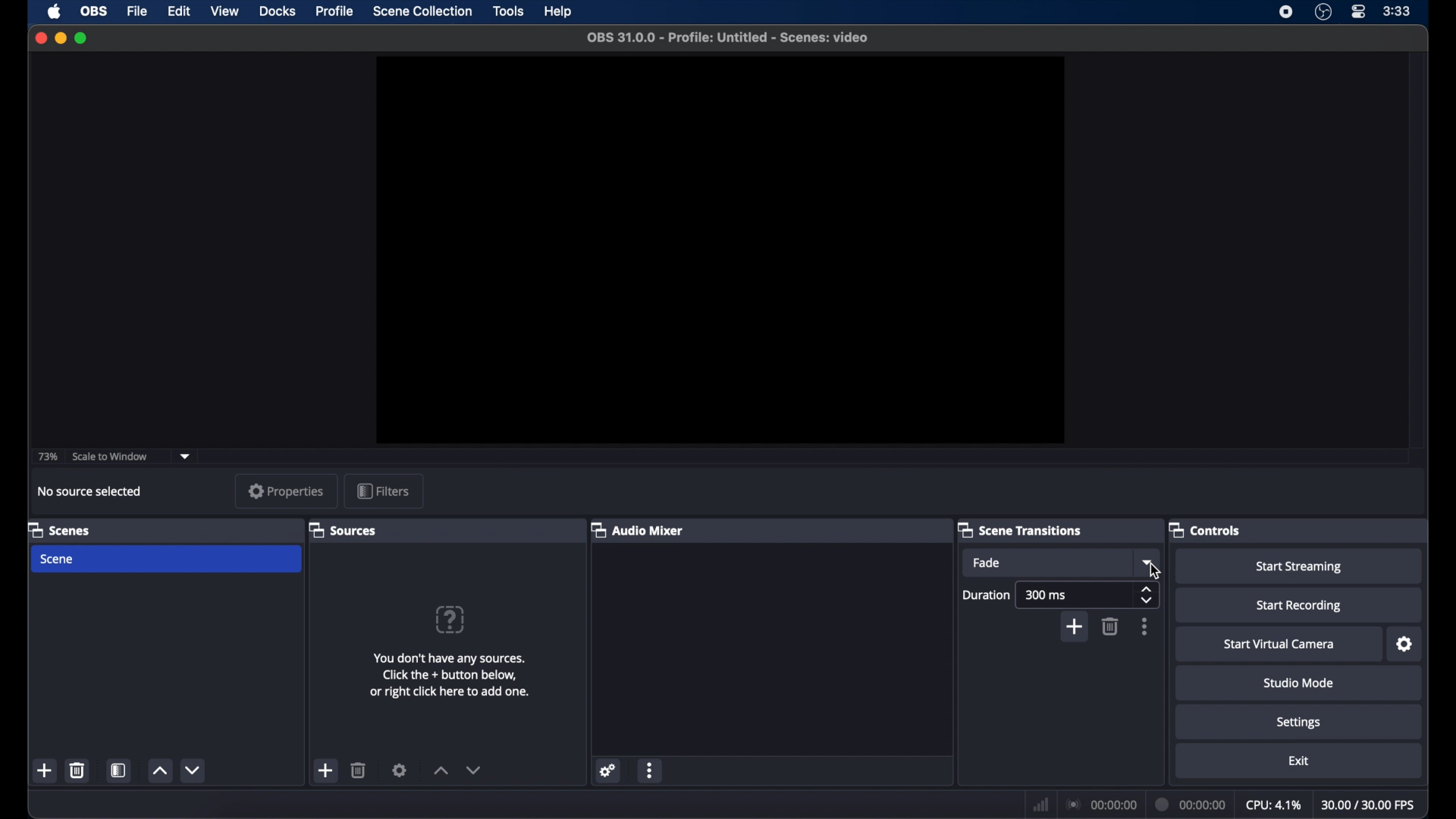 This screenshot has width=1456, height=819. Describe the element at coordinates (359, 770) in the screenshot. I see `delete` at that location.